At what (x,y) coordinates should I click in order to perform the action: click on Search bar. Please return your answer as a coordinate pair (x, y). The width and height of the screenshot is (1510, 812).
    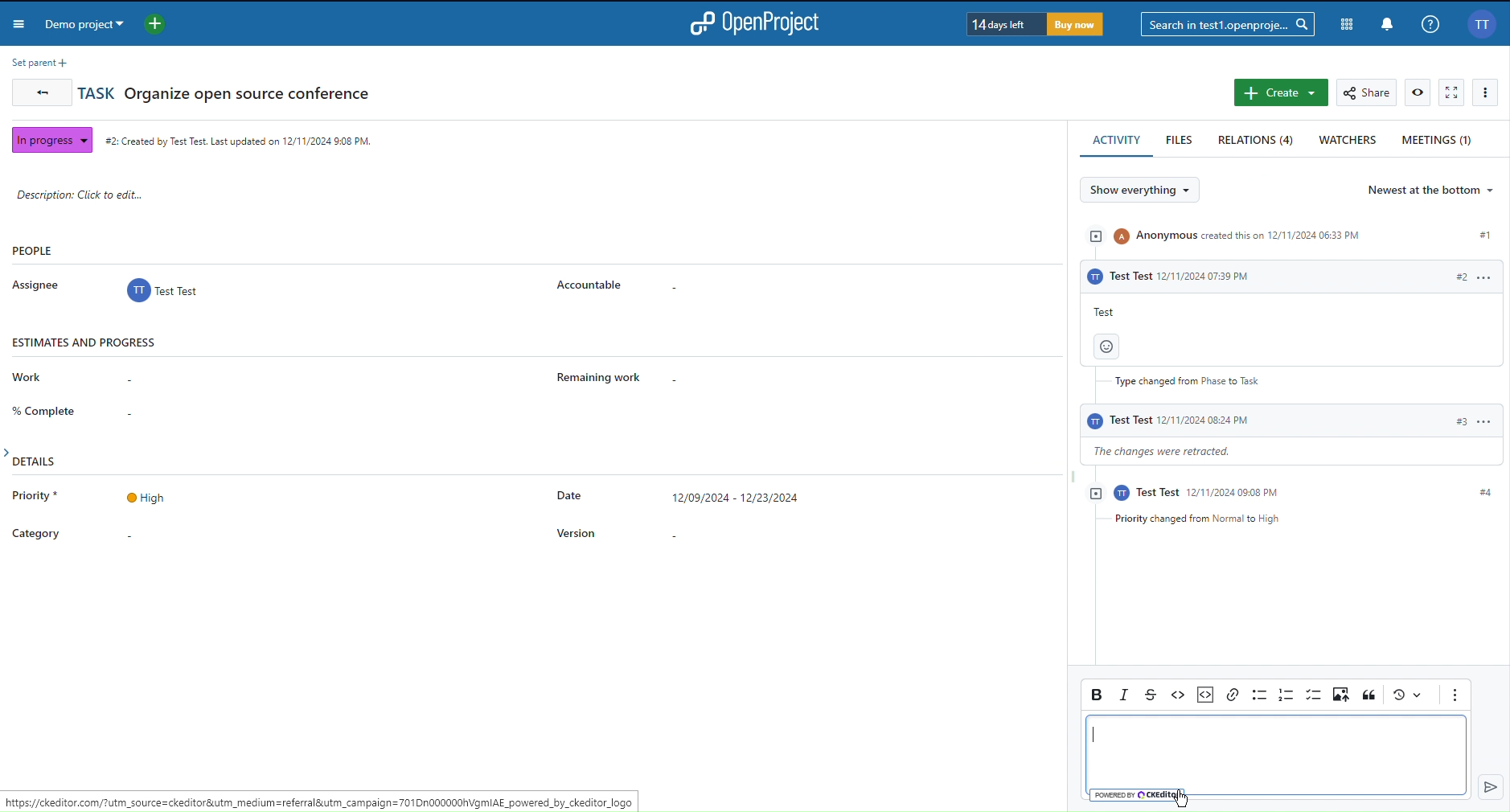
    Looking at the image, I should click on (1226, 23).